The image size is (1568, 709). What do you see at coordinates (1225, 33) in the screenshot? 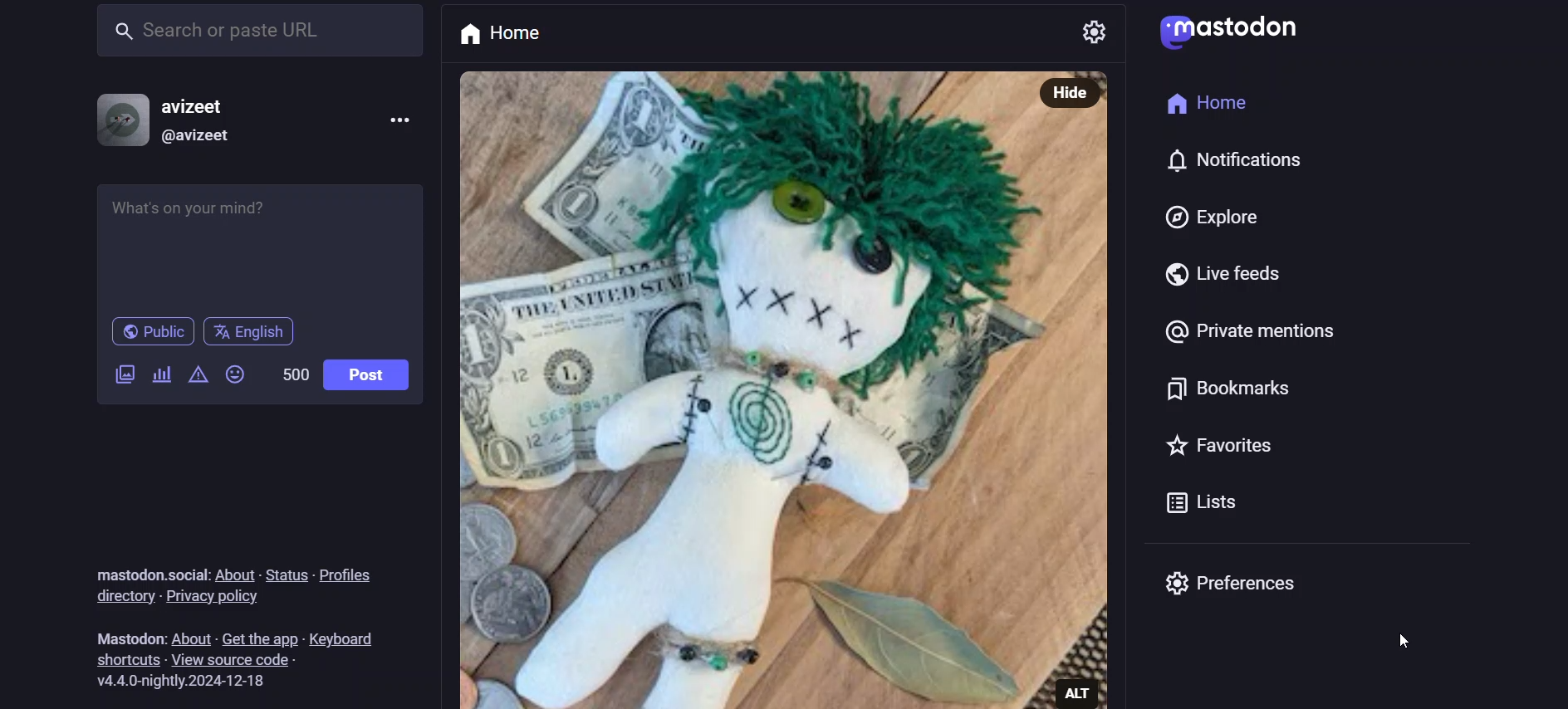
I see `mastodon logo` at bounding box center [1225, 33].